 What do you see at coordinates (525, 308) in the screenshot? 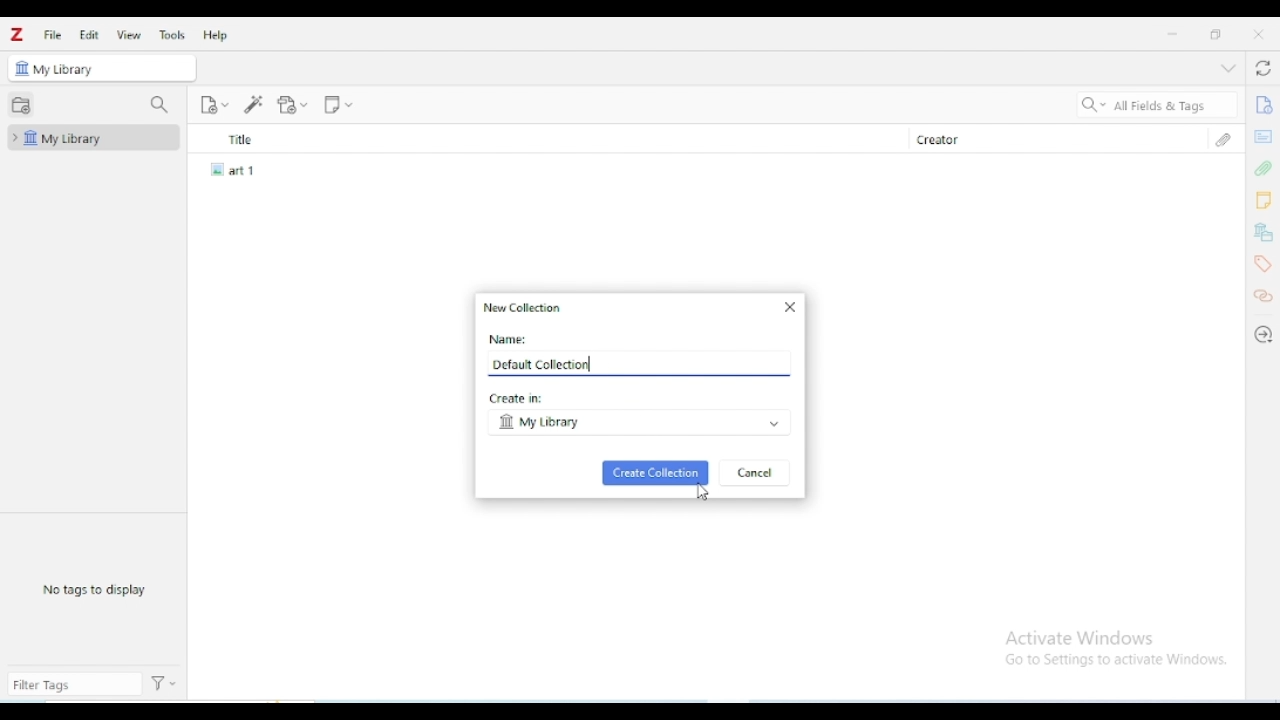
I see `new collection` at bounding box center [525, 308].